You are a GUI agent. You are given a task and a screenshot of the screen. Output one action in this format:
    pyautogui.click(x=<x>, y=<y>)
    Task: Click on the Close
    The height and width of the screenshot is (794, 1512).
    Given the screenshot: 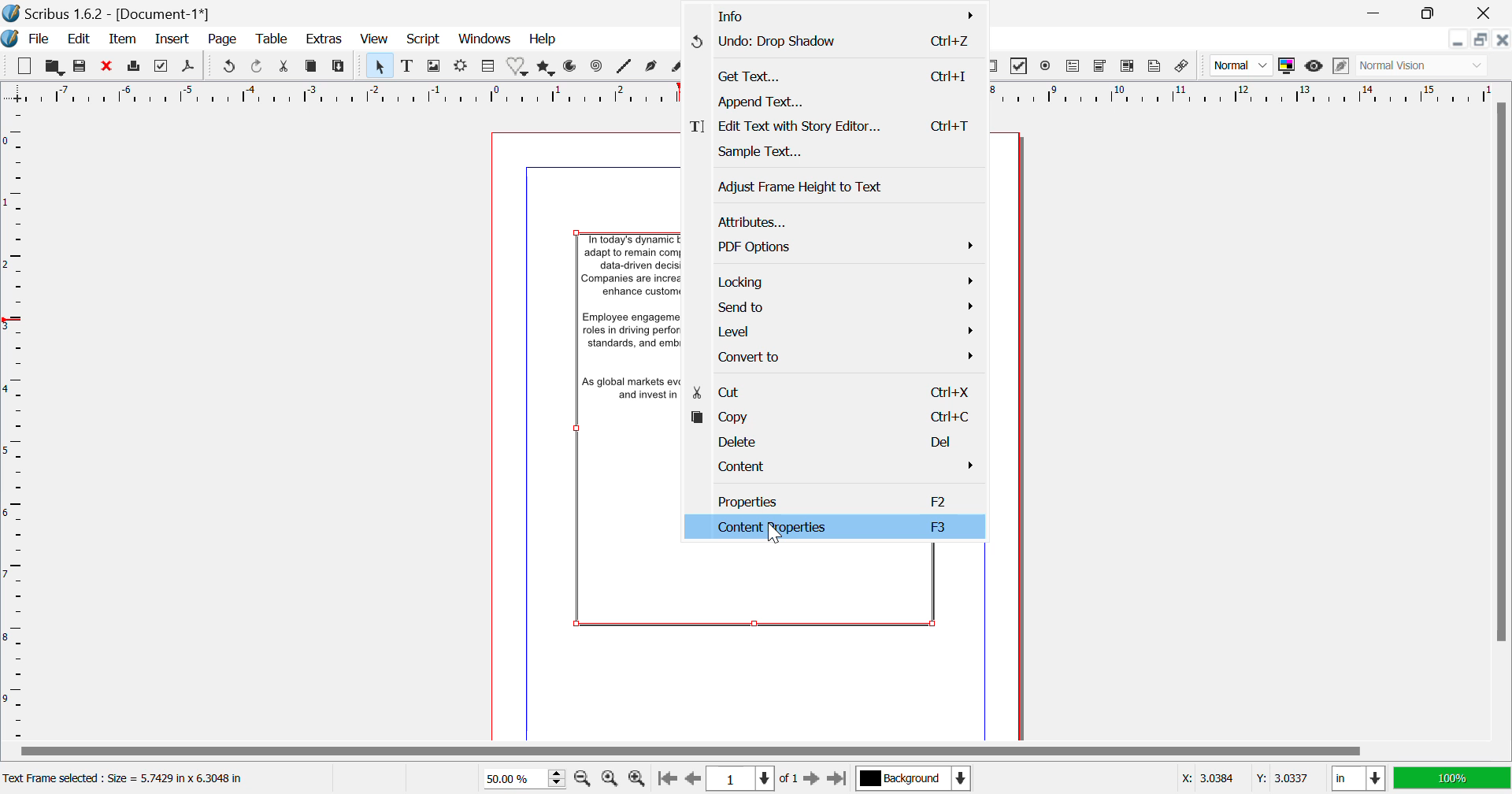 What is the action you would take?
    pyautogui.click(x=1503, y=41)
    